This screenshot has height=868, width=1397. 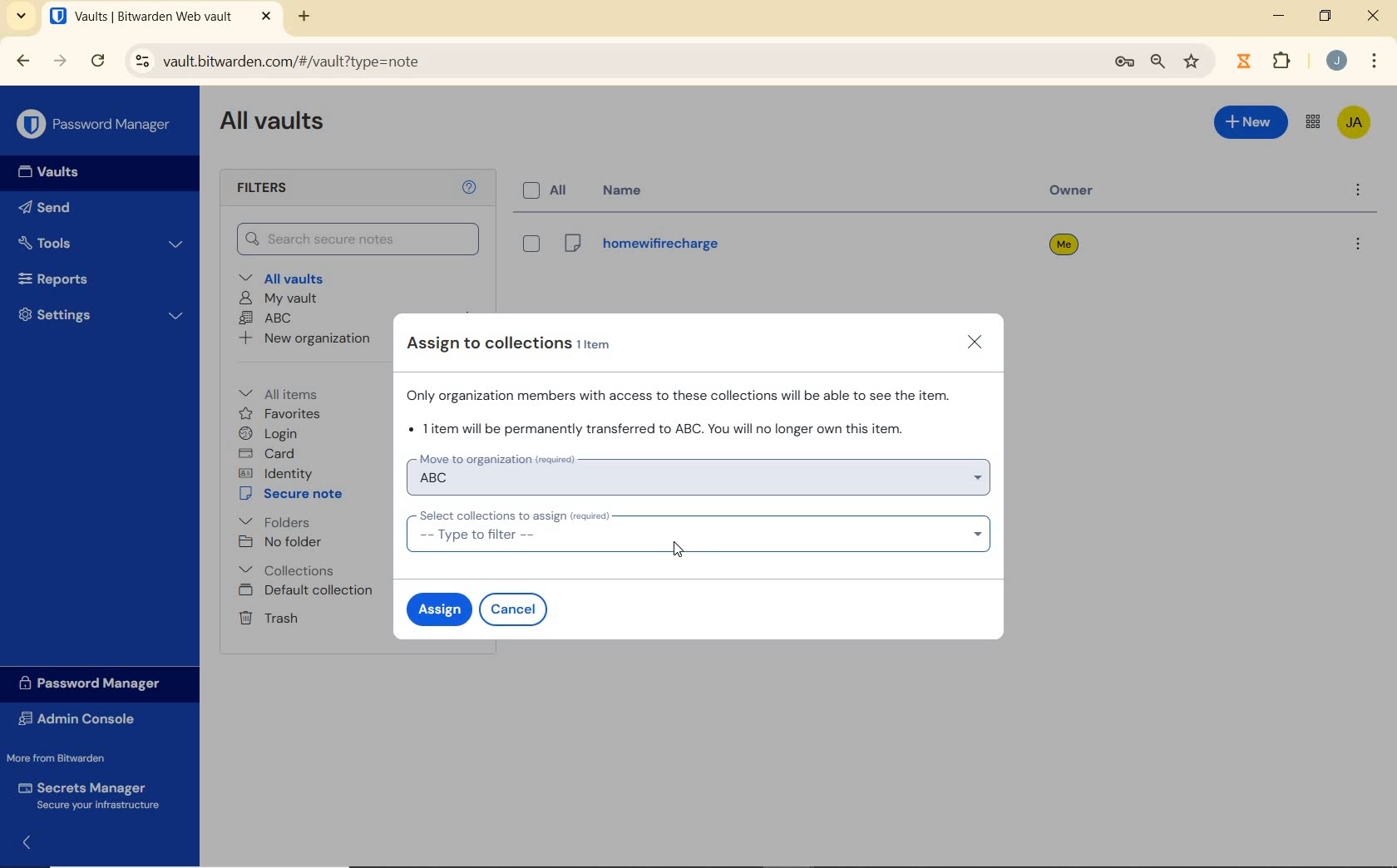 I want to click on secure note, so click(x=294, y=494).